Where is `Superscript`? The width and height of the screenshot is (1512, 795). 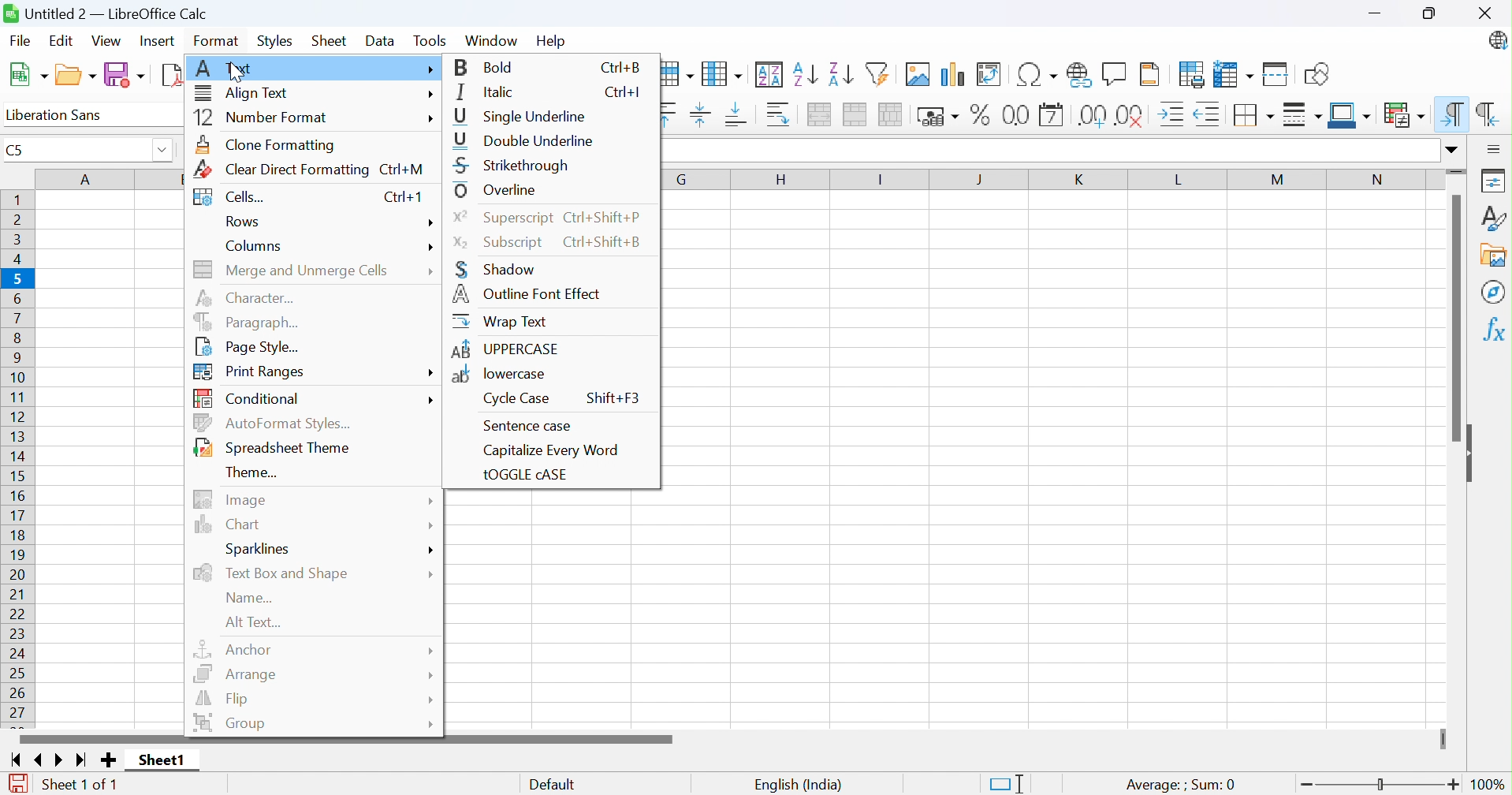
Superscript is located at coordinates (502, 222).